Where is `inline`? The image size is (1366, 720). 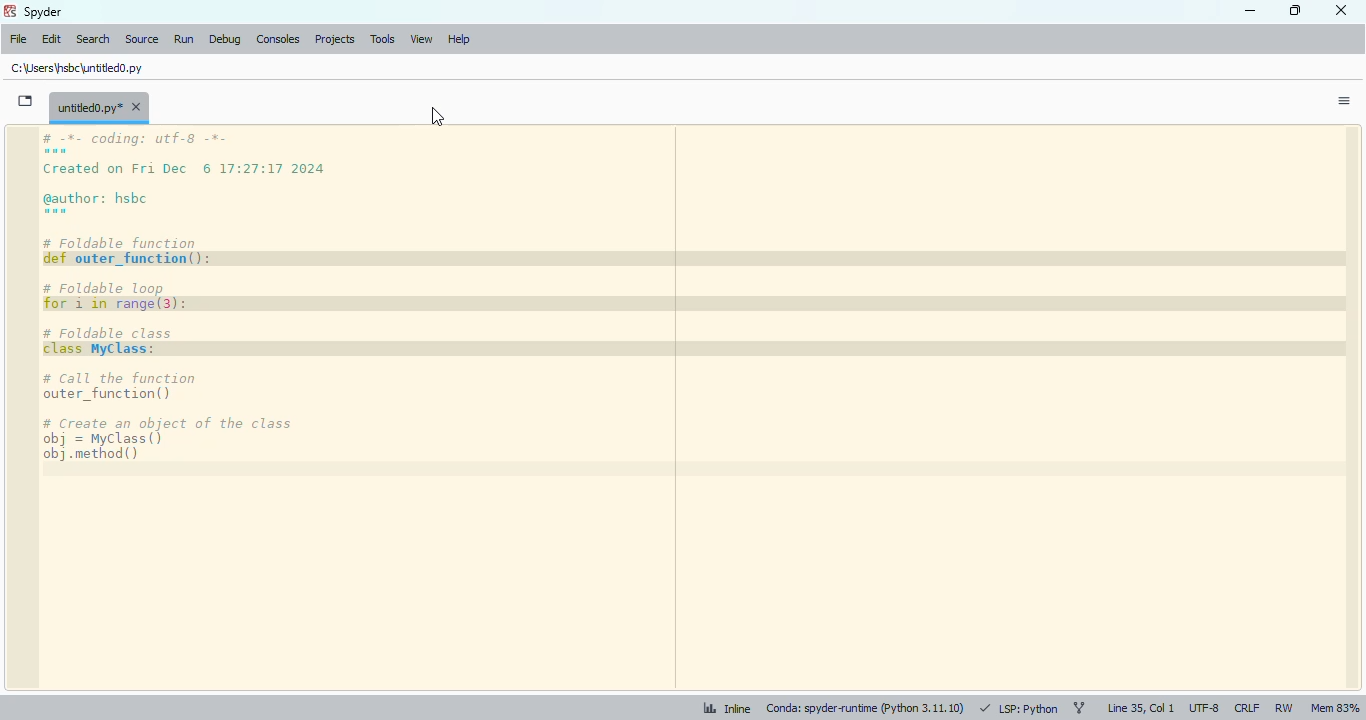 inline is located at coordinates (718, 707).